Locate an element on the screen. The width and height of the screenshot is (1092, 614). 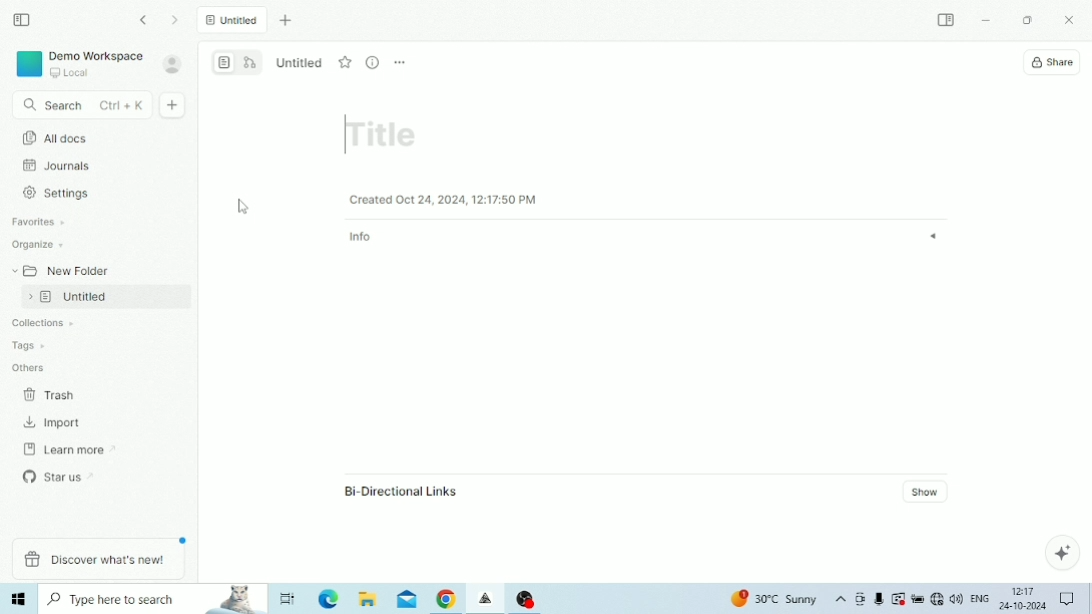
OBS Studio is located at coordinates (526, 598).